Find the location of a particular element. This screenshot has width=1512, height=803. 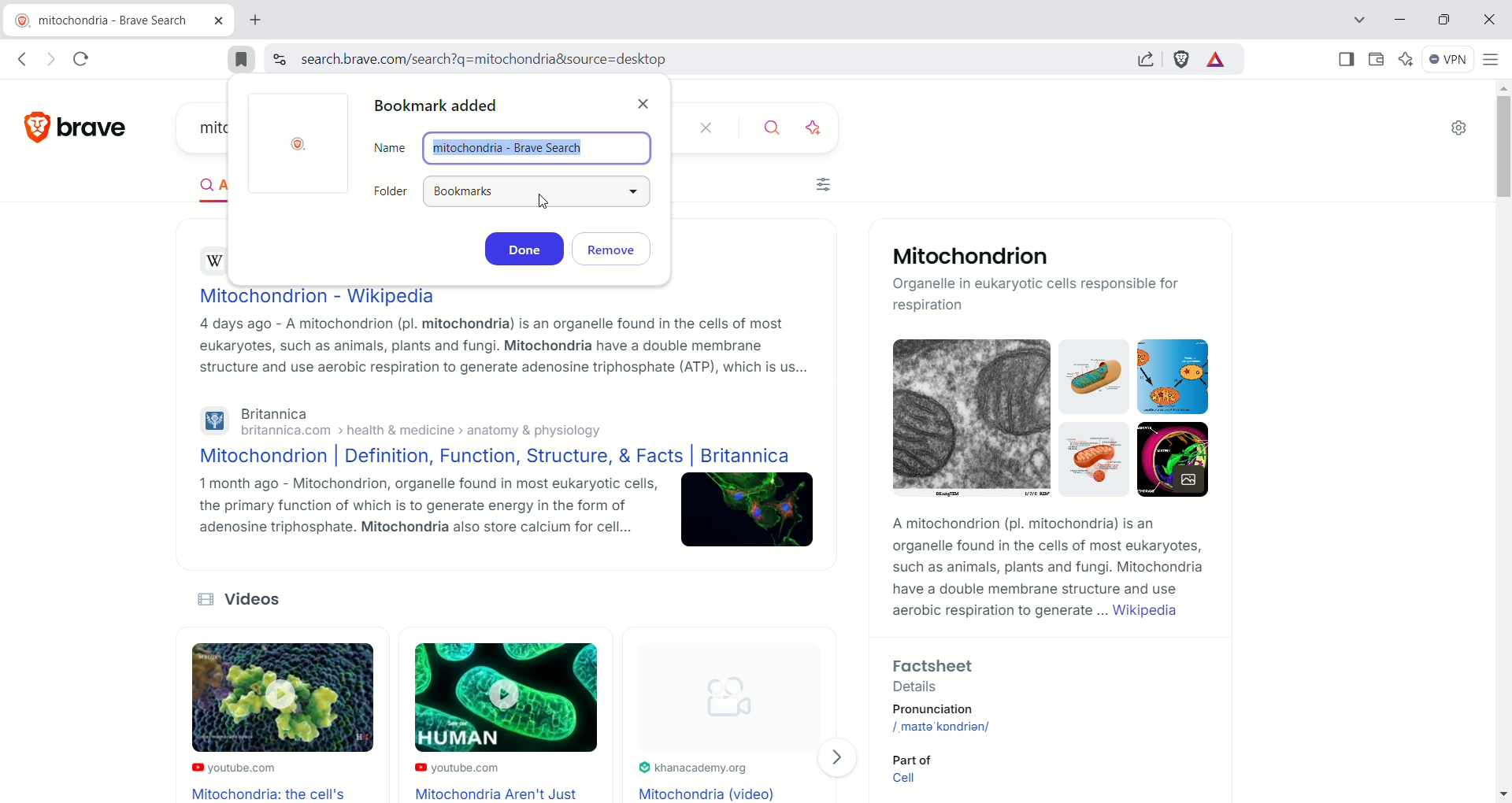

4 days ago - A mitochondrion (pl. mitochondria) is an organelle found in the cells of most
eukaryotes, such as animals, plants and fungi. Mitochondria have a double membrane
structure and use aerobic respiration to generate adenosine triphosphate (ATP), which is us... is located at coordinates (499, 347).